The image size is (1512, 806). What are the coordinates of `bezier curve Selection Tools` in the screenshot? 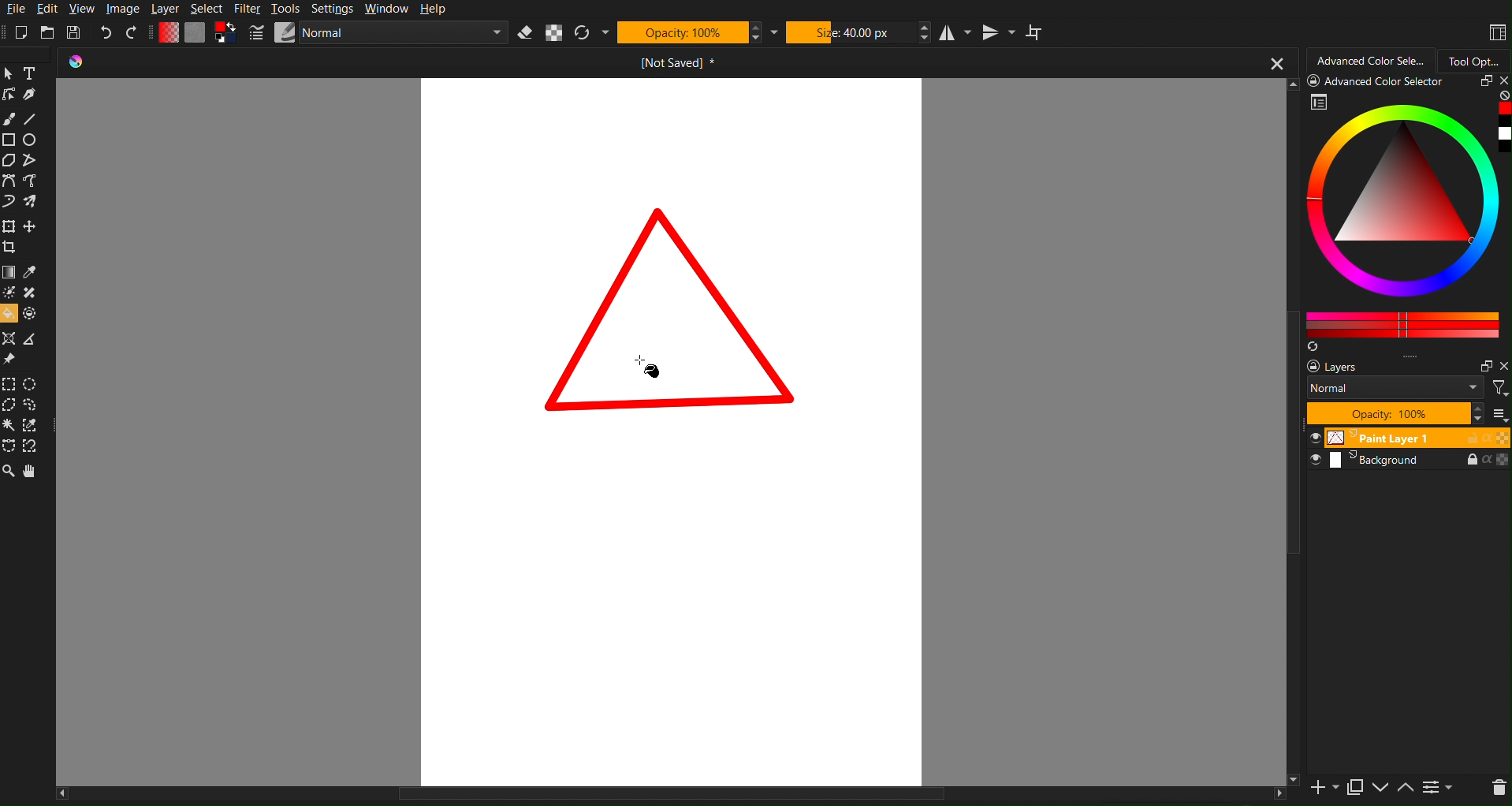 It's located at (11, 446).